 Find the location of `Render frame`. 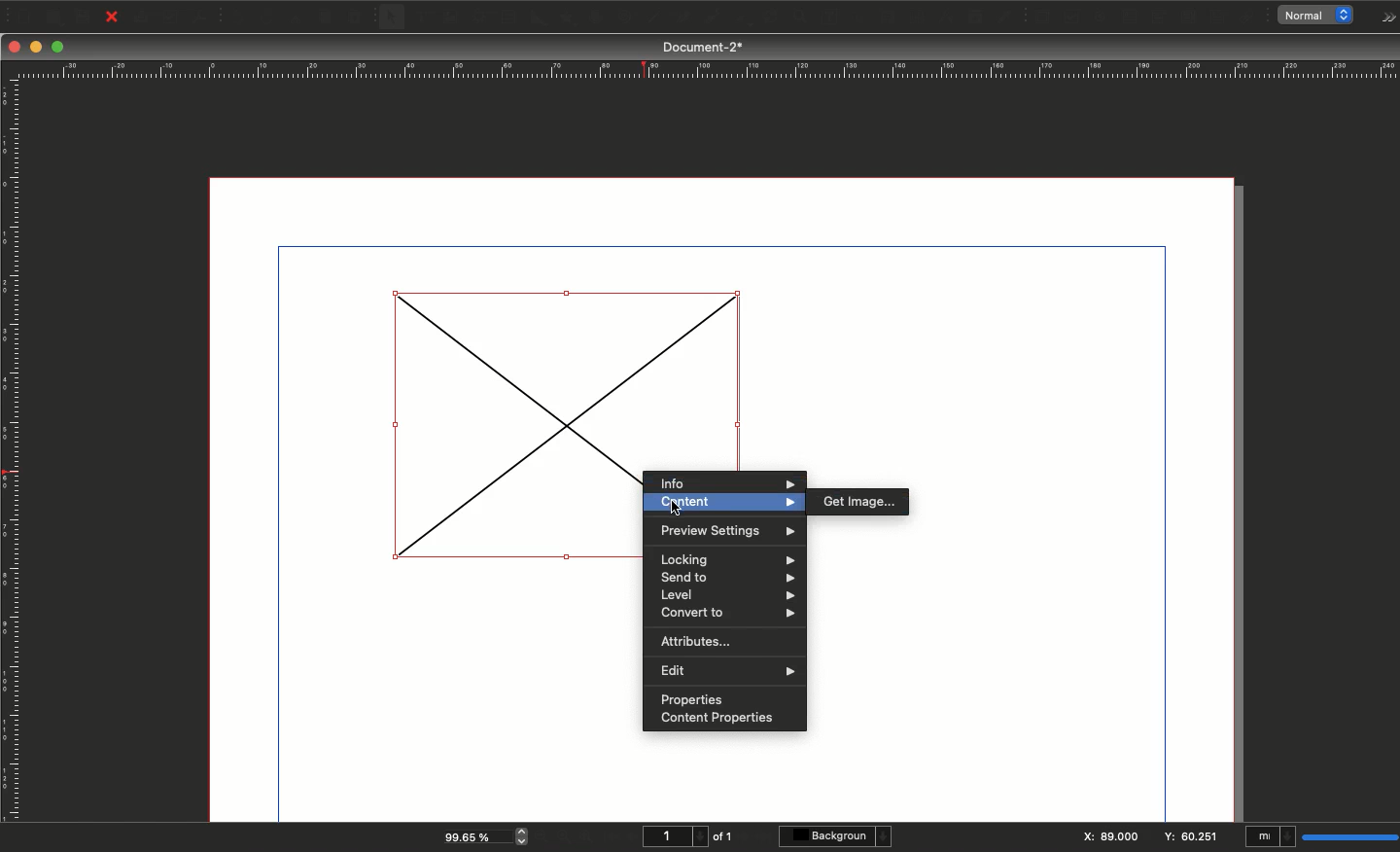

Render frame is located at coordinates (477, 18).